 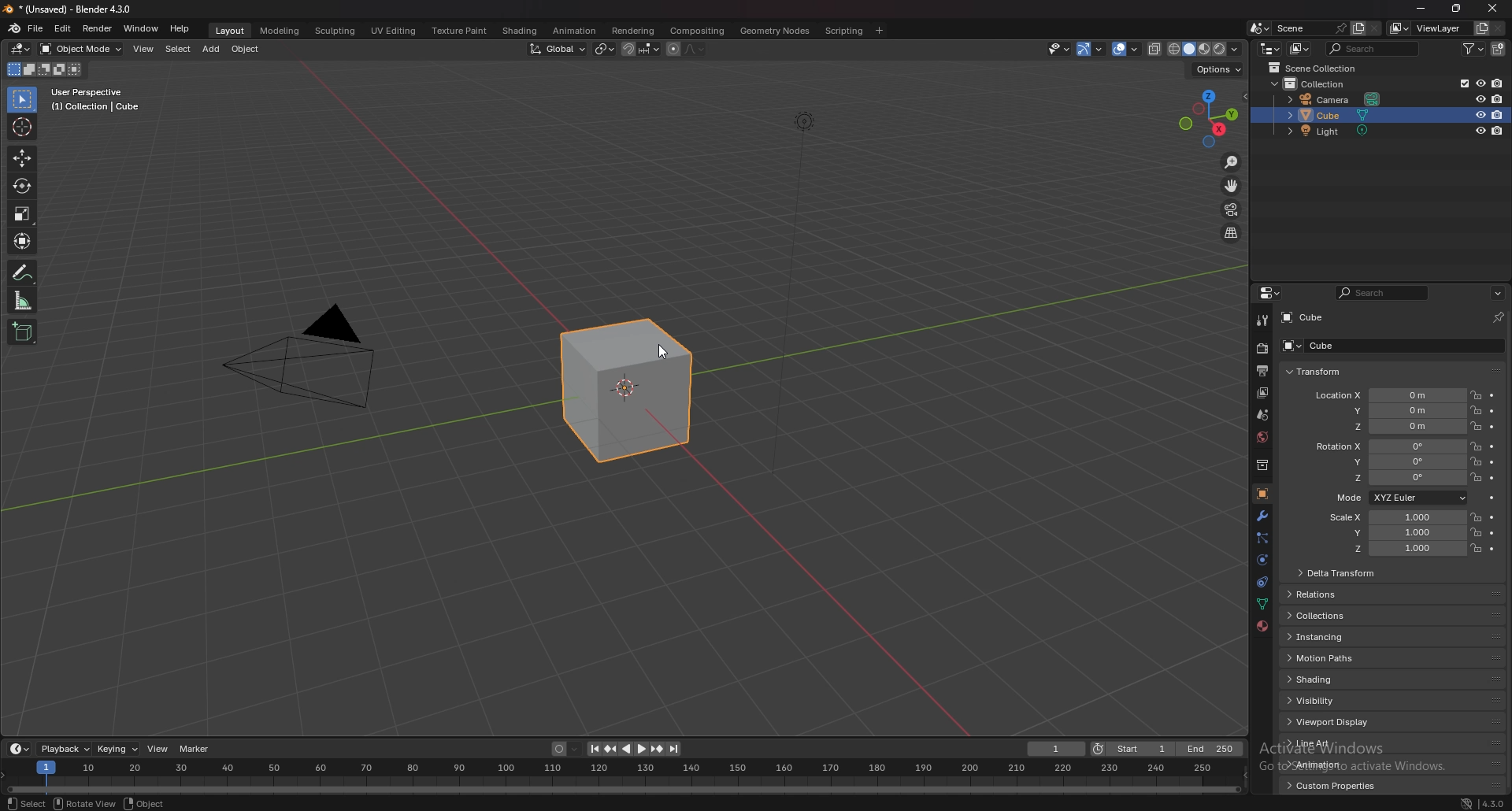 What do you see at coordinates (1324, 658) in the screenshot?
I see `motion paths` at bounding box center [1324, 658].